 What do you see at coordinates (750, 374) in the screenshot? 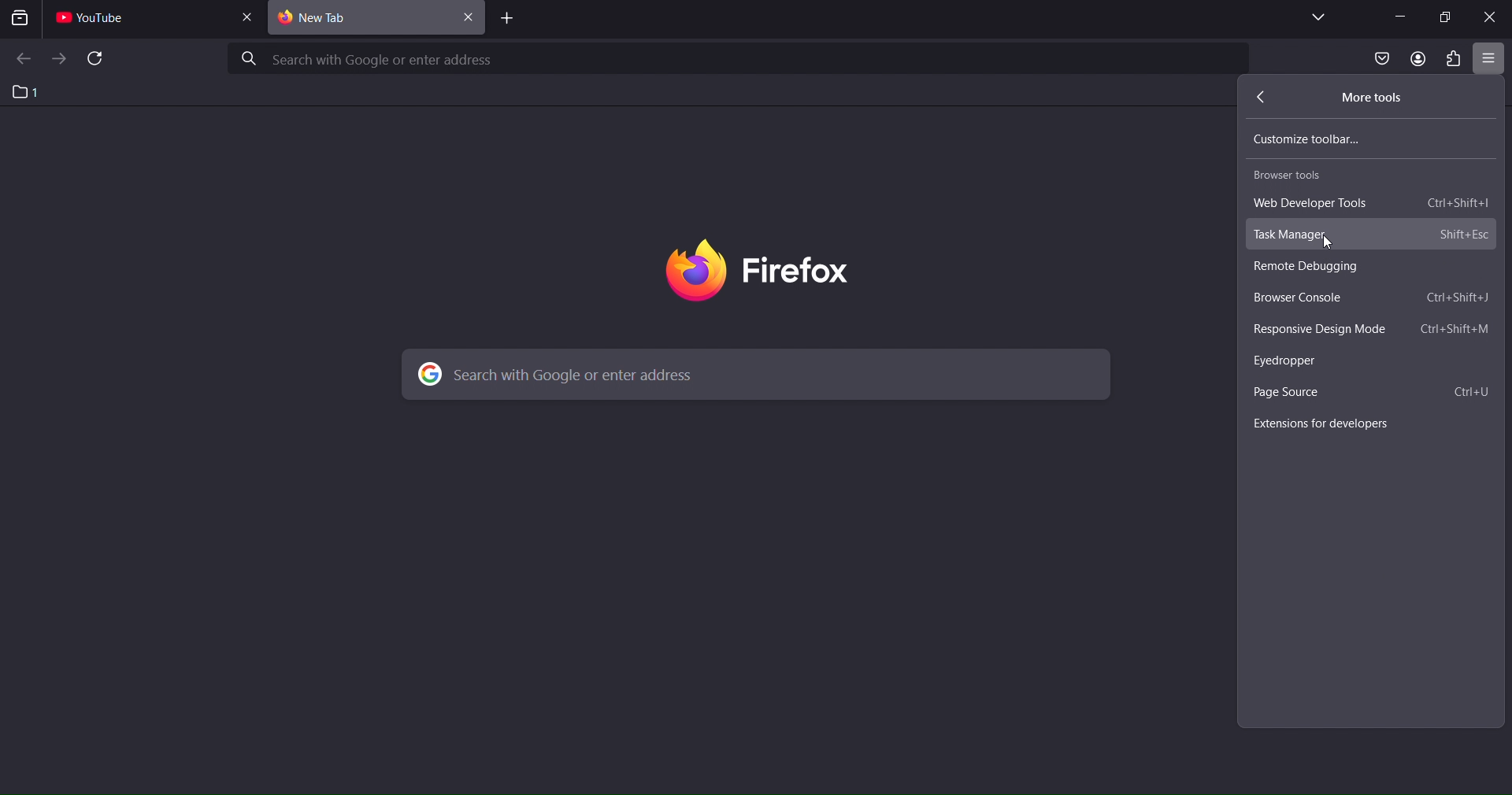
I see `search with Google or enter address` at bounding box center [750, 374].